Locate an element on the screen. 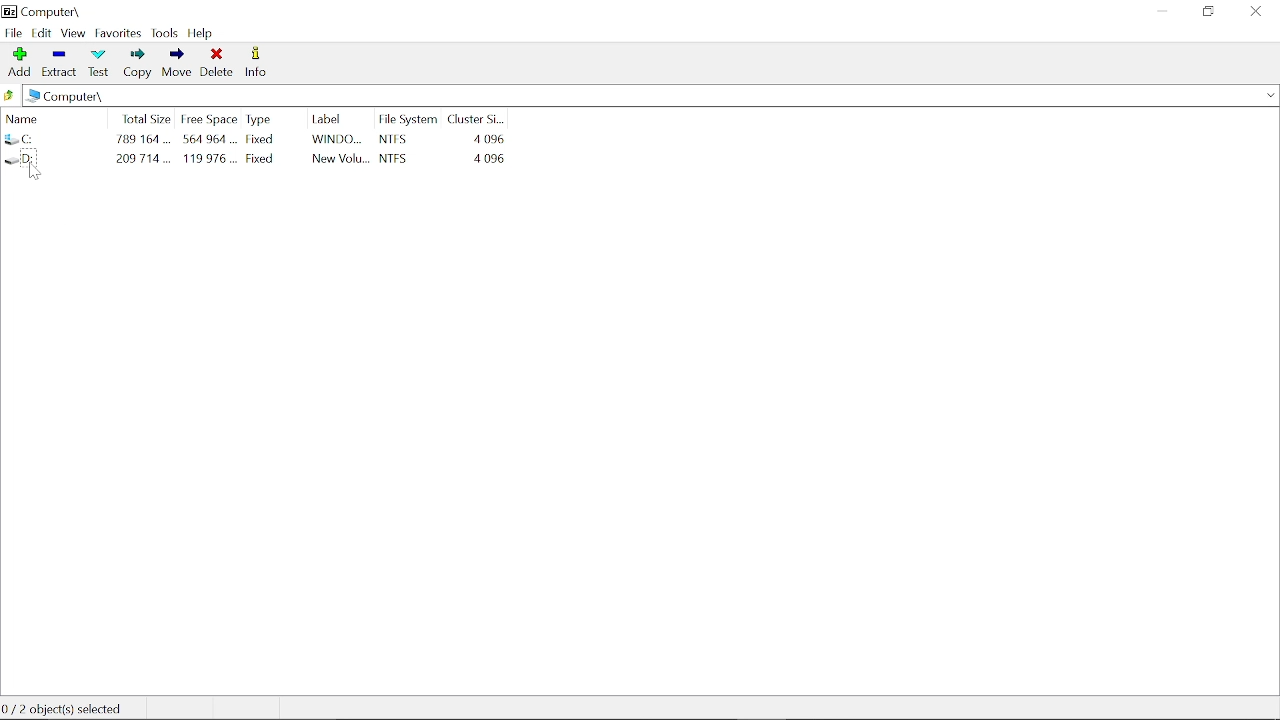 This screenshot has width=1280, height=720. 0/2 objectis) selected is located at coordinates (69, 709).